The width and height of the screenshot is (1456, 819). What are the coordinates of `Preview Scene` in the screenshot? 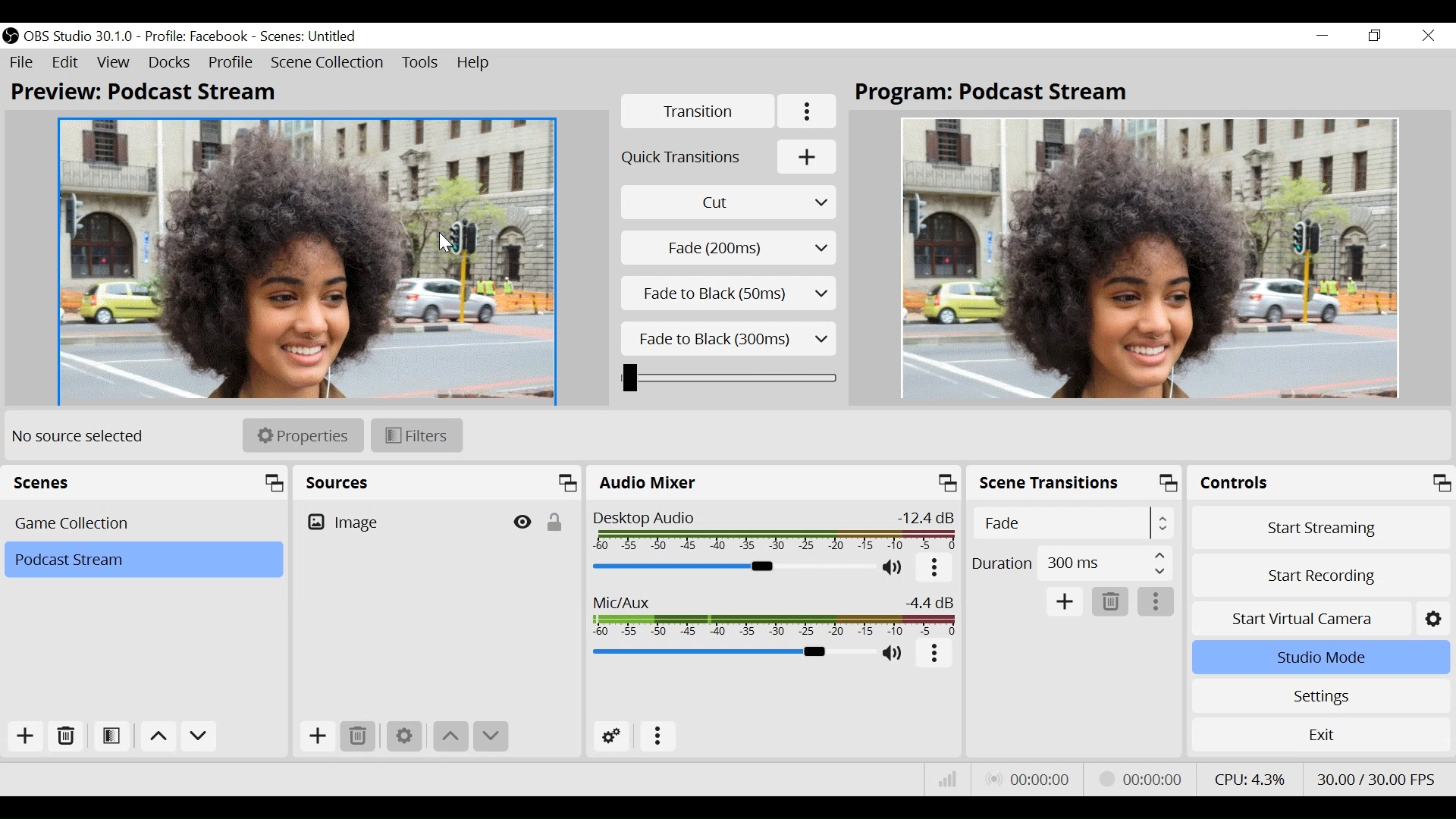 It's located at (308, 262).